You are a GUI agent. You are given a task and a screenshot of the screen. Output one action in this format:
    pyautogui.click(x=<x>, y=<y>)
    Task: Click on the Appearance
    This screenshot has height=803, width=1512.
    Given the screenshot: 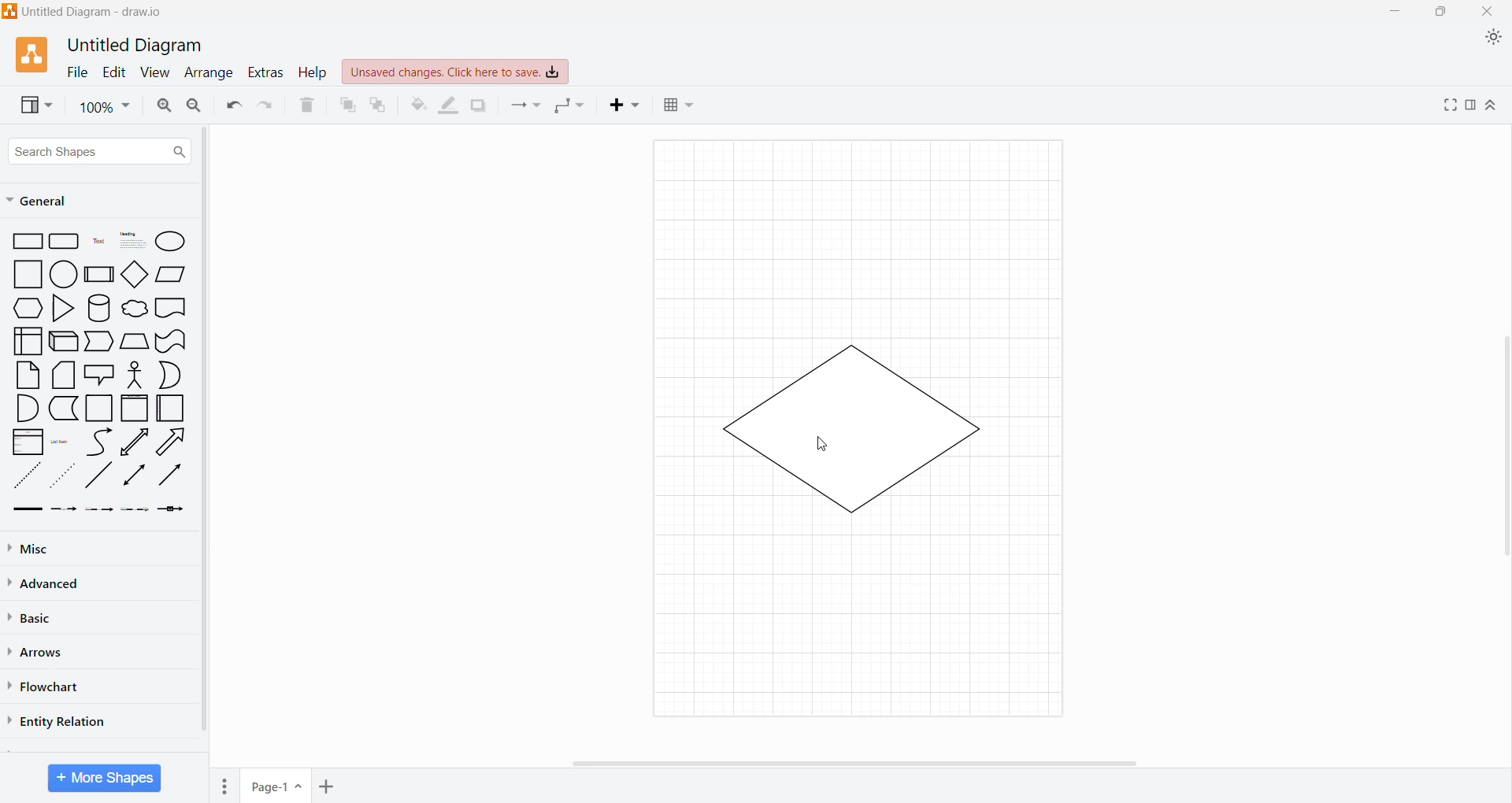 What is the action you would take?
    pyautogui.click(x=1496, y=39)
    